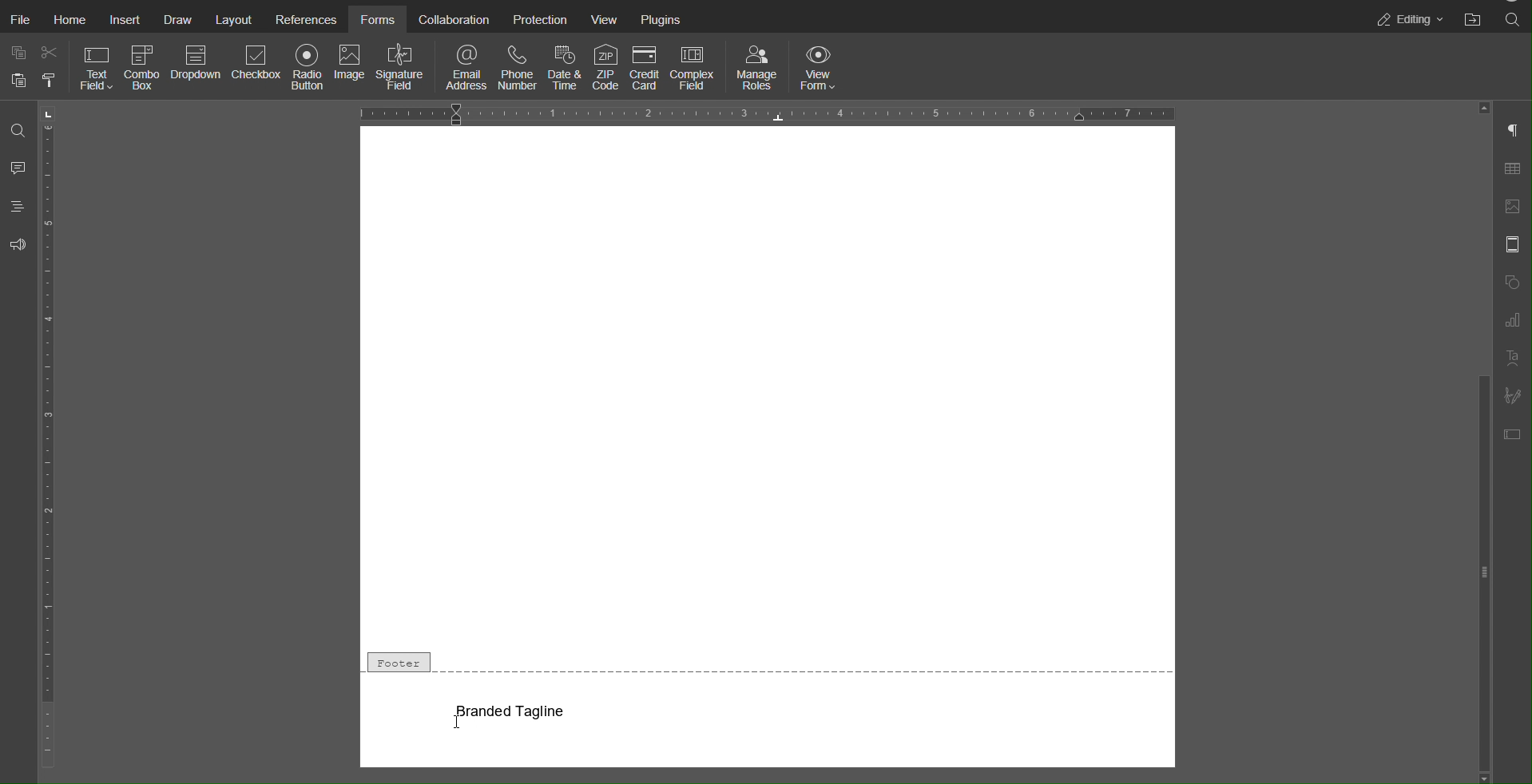  Describe the element at coordinates (126, 20) in the screenshot. I see `Insert` at that location.